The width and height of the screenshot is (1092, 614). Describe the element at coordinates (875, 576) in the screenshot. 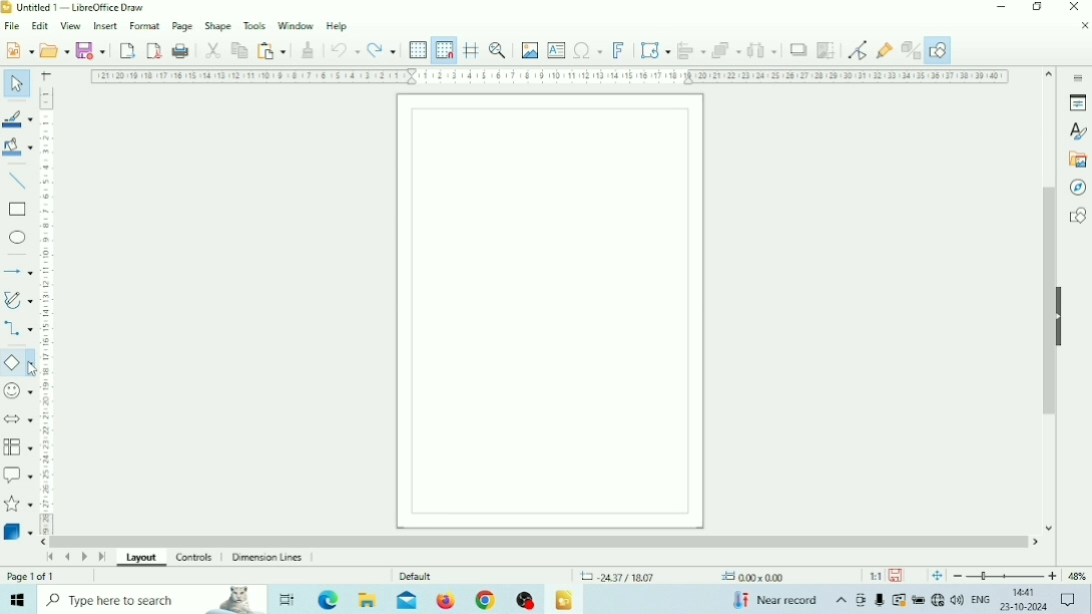

I see `Scaling factor` at that location.